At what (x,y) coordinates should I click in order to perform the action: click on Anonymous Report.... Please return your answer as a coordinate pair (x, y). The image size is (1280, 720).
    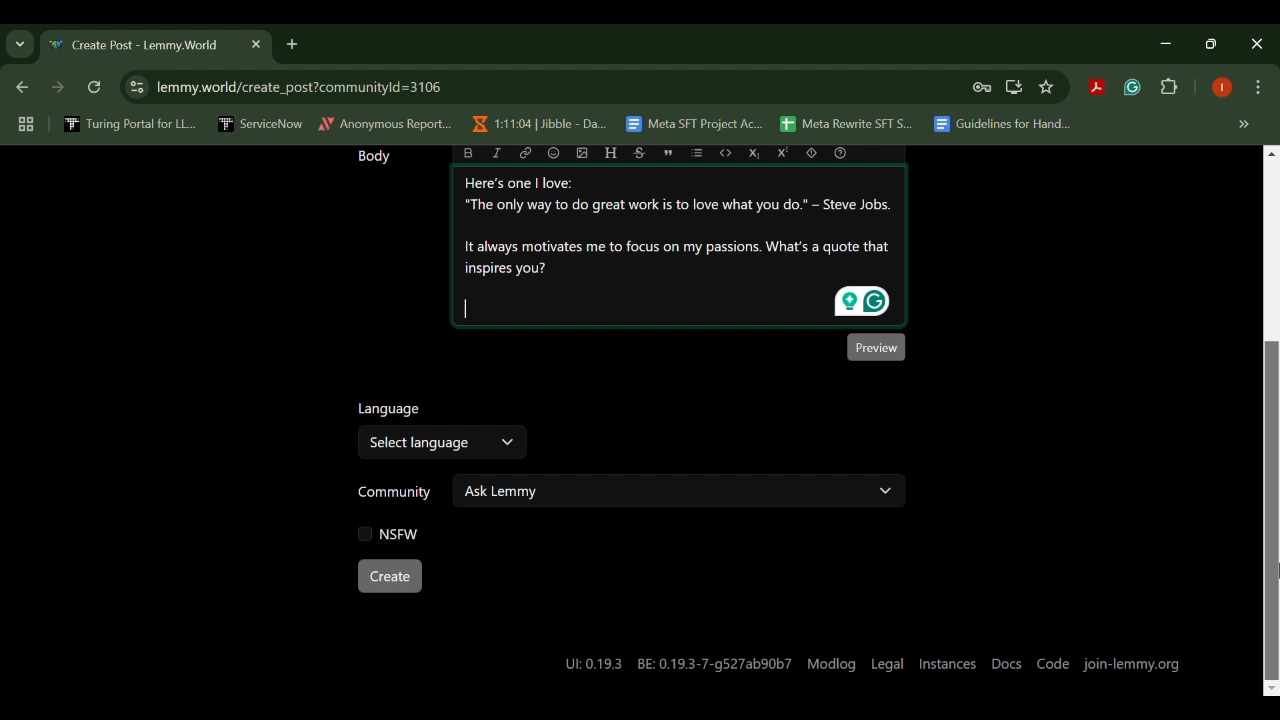
    Looking at the image, I should click on (386, 123).